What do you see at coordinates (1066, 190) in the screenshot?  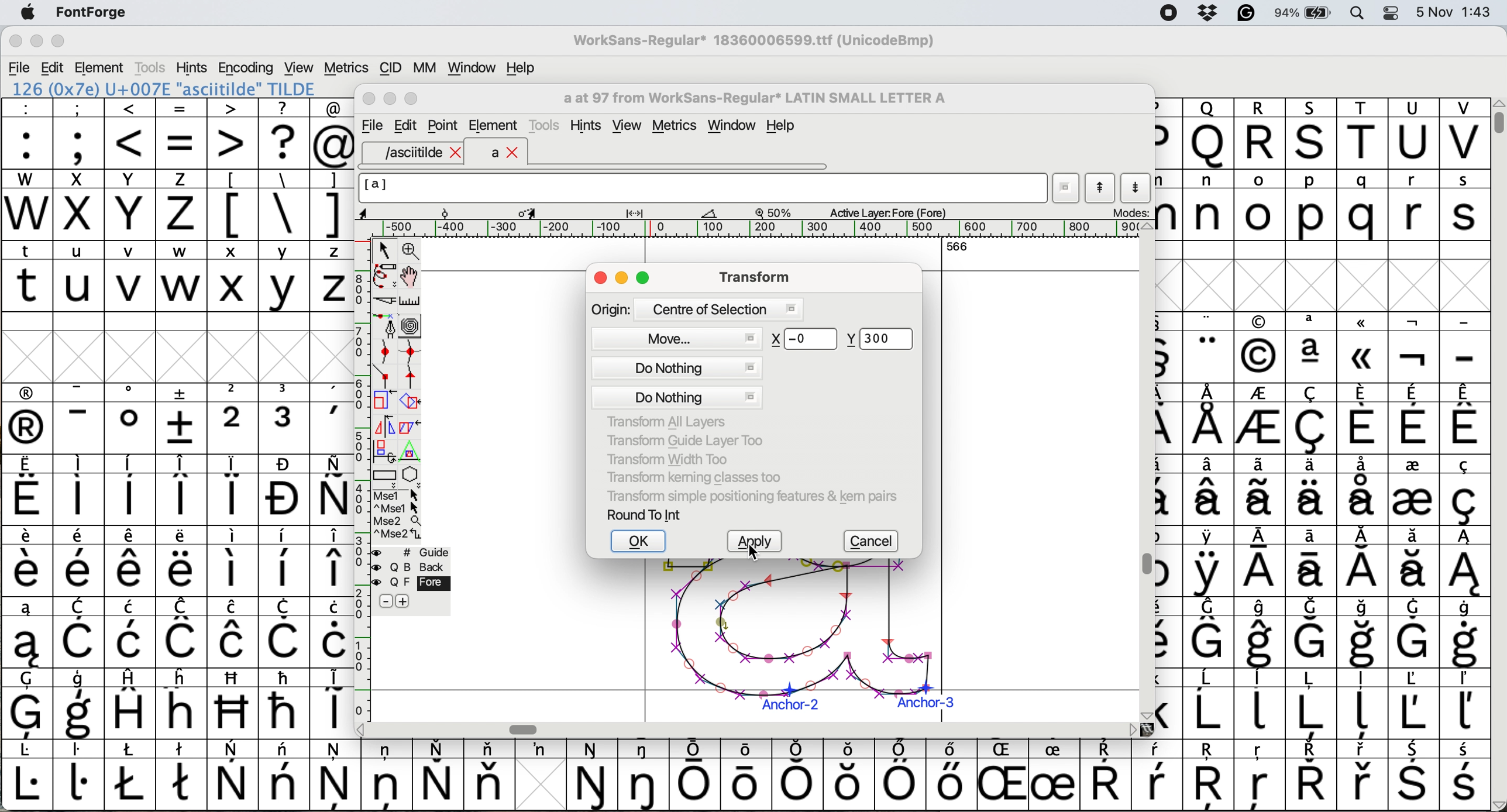 I see `current word list` at bounding box center [1066, 190].